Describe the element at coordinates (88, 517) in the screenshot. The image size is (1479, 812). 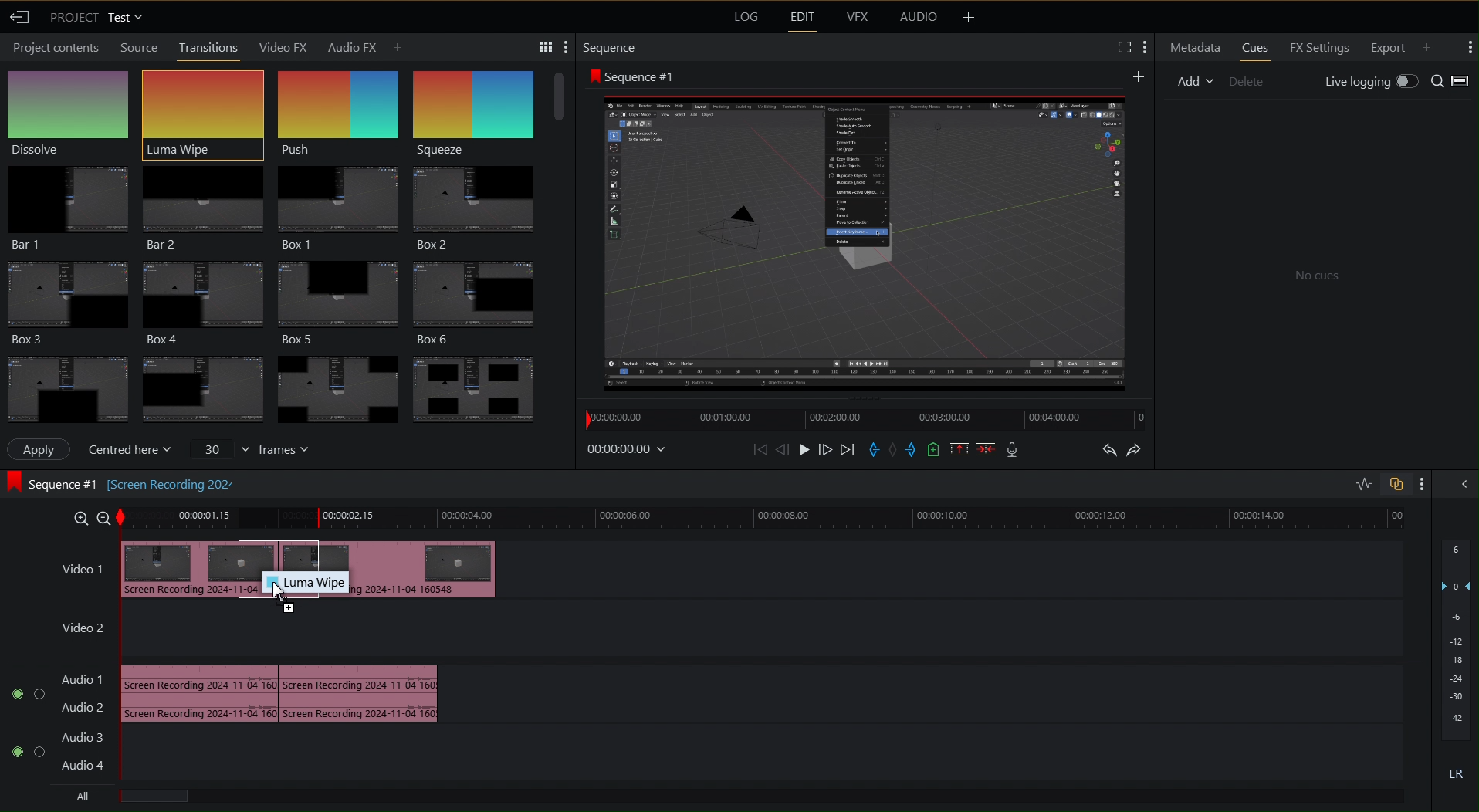
I see `Zoom` at that location.